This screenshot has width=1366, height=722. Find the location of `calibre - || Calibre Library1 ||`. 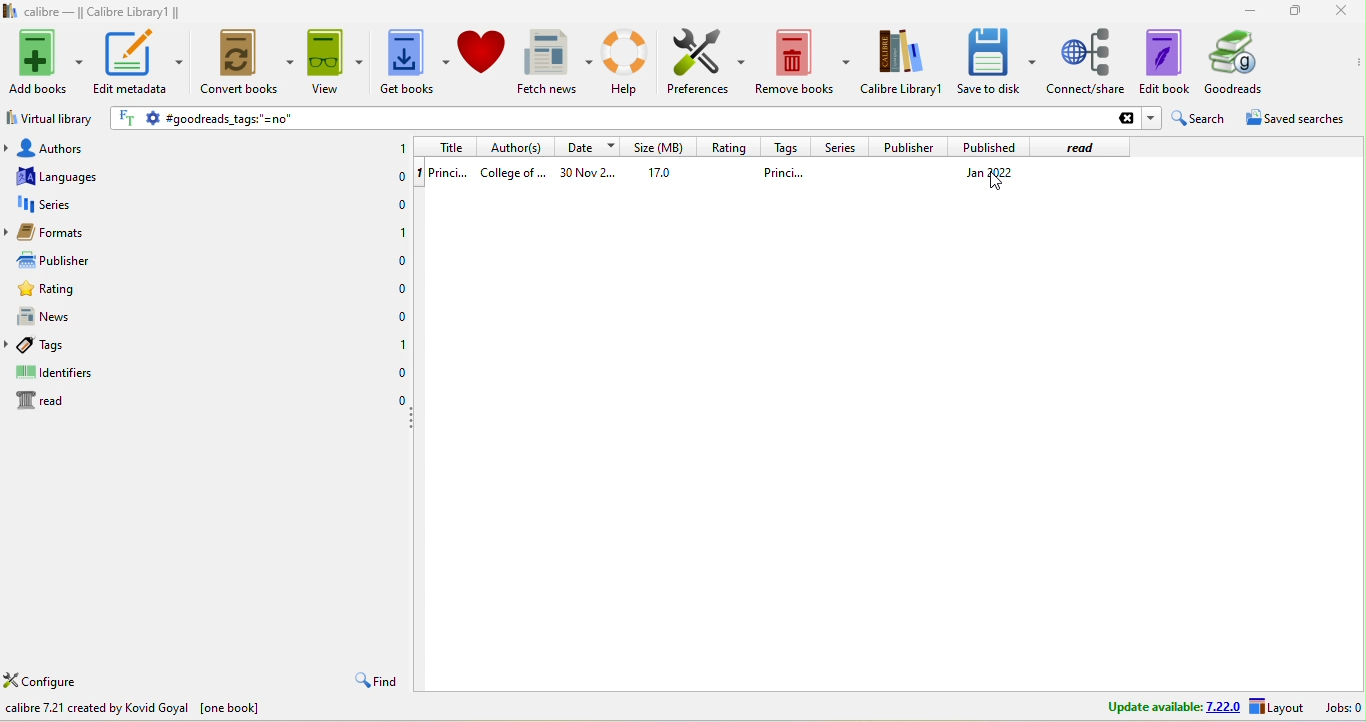

calibre - || Calibre Library1 || is located at coordinates (102, 11).